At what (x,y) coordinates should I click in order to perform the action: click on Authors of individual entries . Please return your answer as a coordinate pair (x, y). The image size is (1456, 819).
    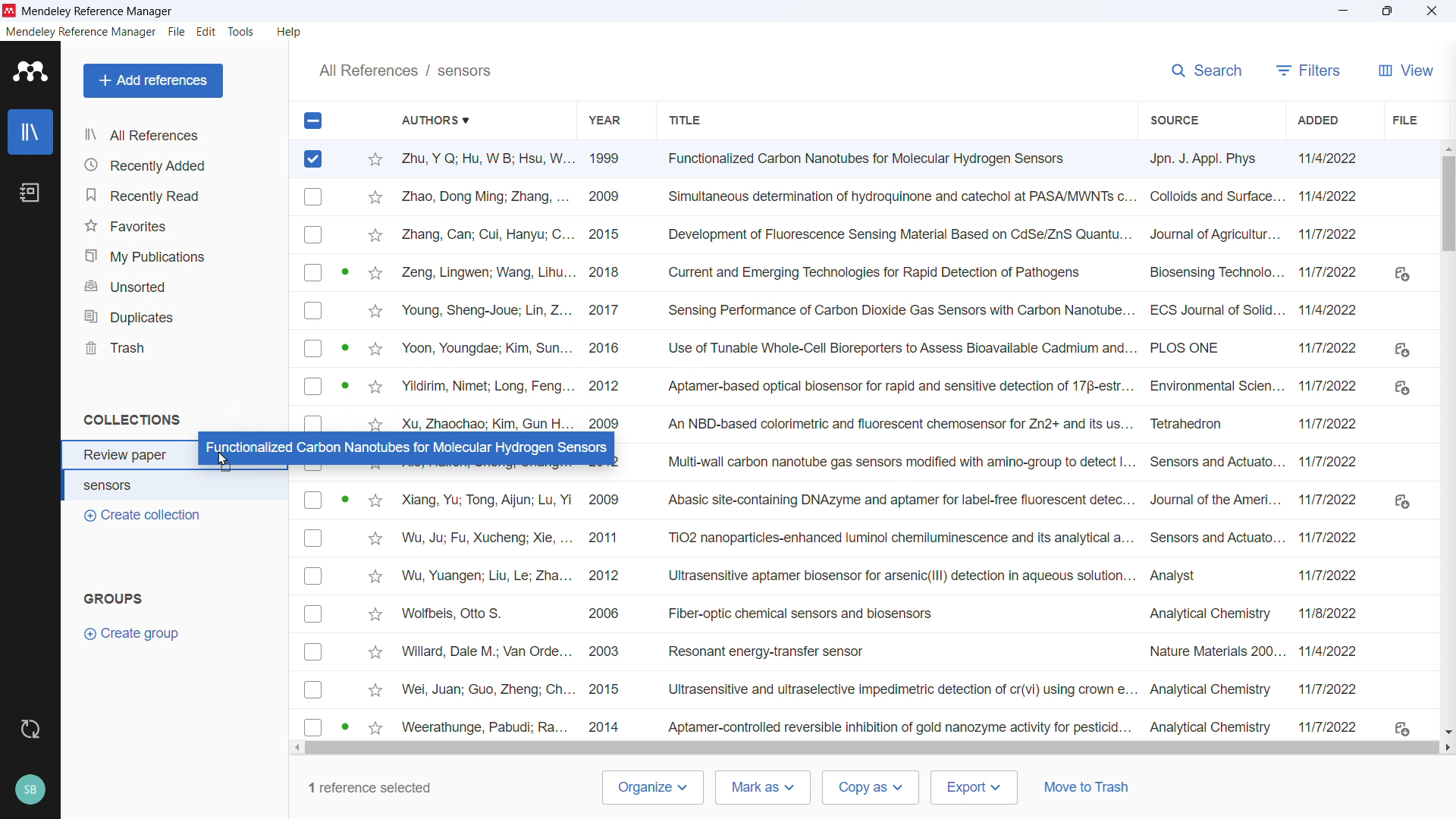
    Looking at the image, I should click on (485, 290).